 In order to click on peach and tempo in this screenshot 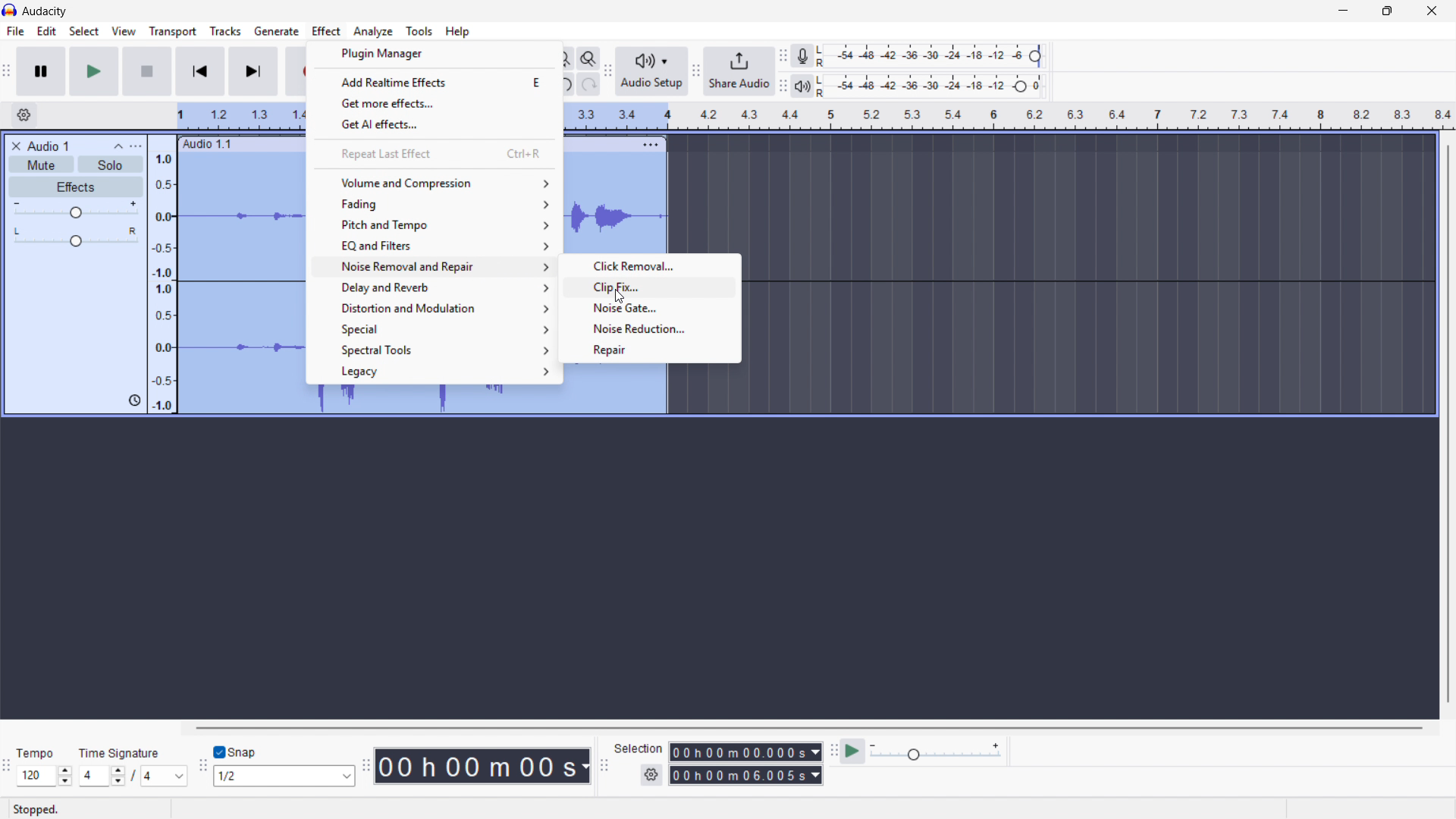, I will do `click(434, 224)`.